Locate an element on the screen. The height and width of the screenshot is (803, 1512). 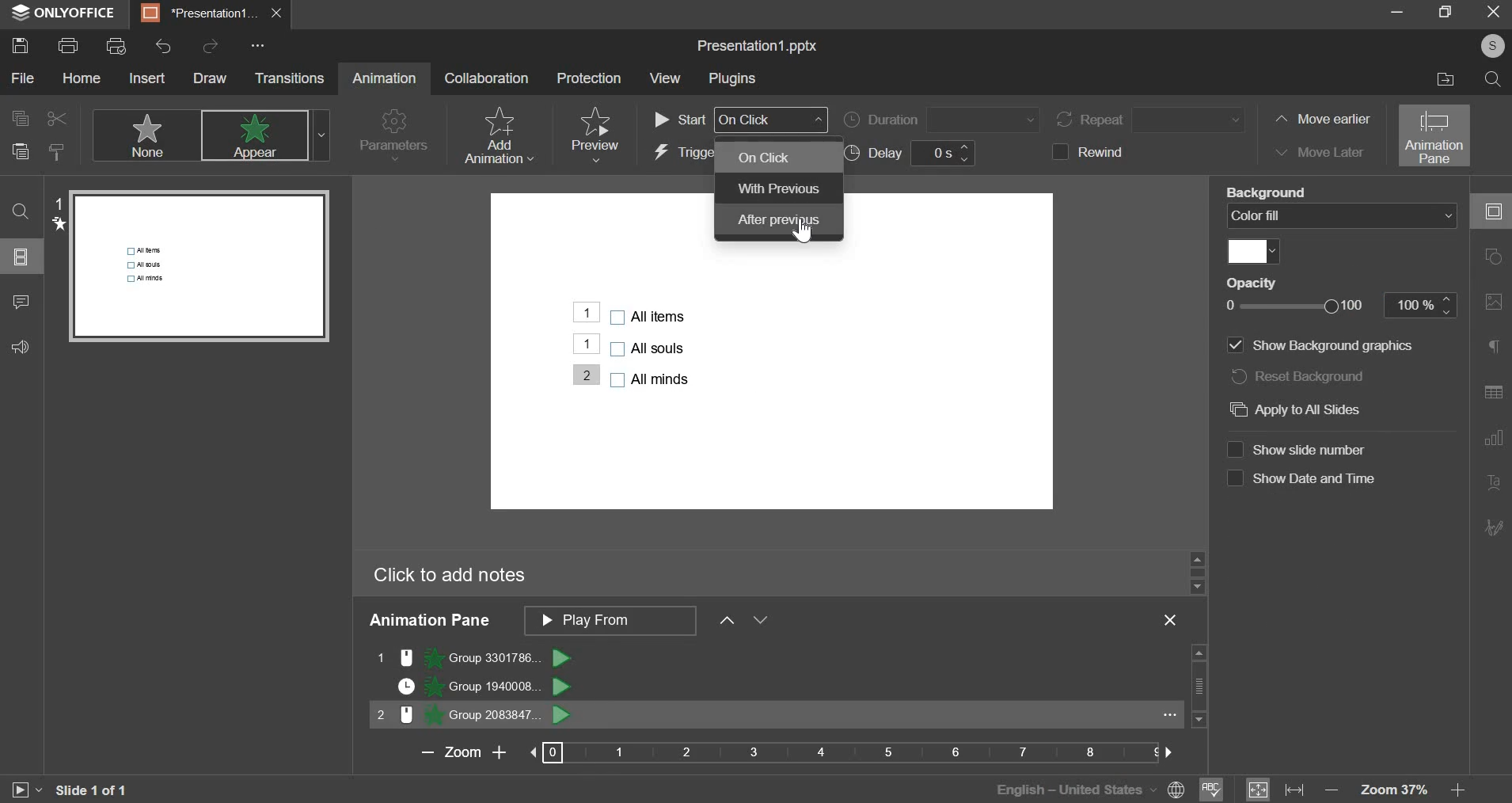
save is located at coordinates (19, 45).